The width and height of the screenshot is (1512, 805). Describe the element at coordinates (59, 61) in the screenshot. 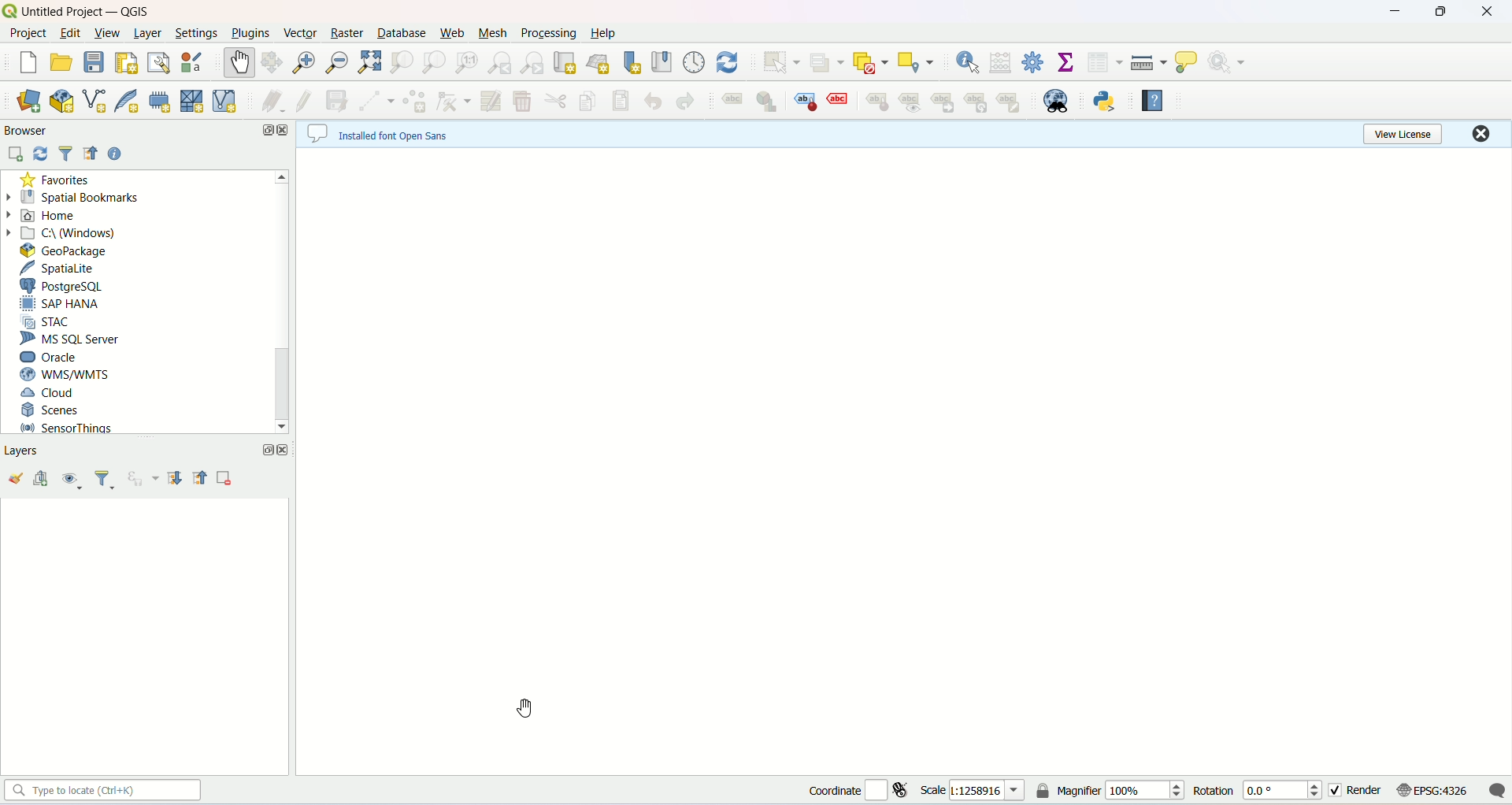

I see `open project` at that location.